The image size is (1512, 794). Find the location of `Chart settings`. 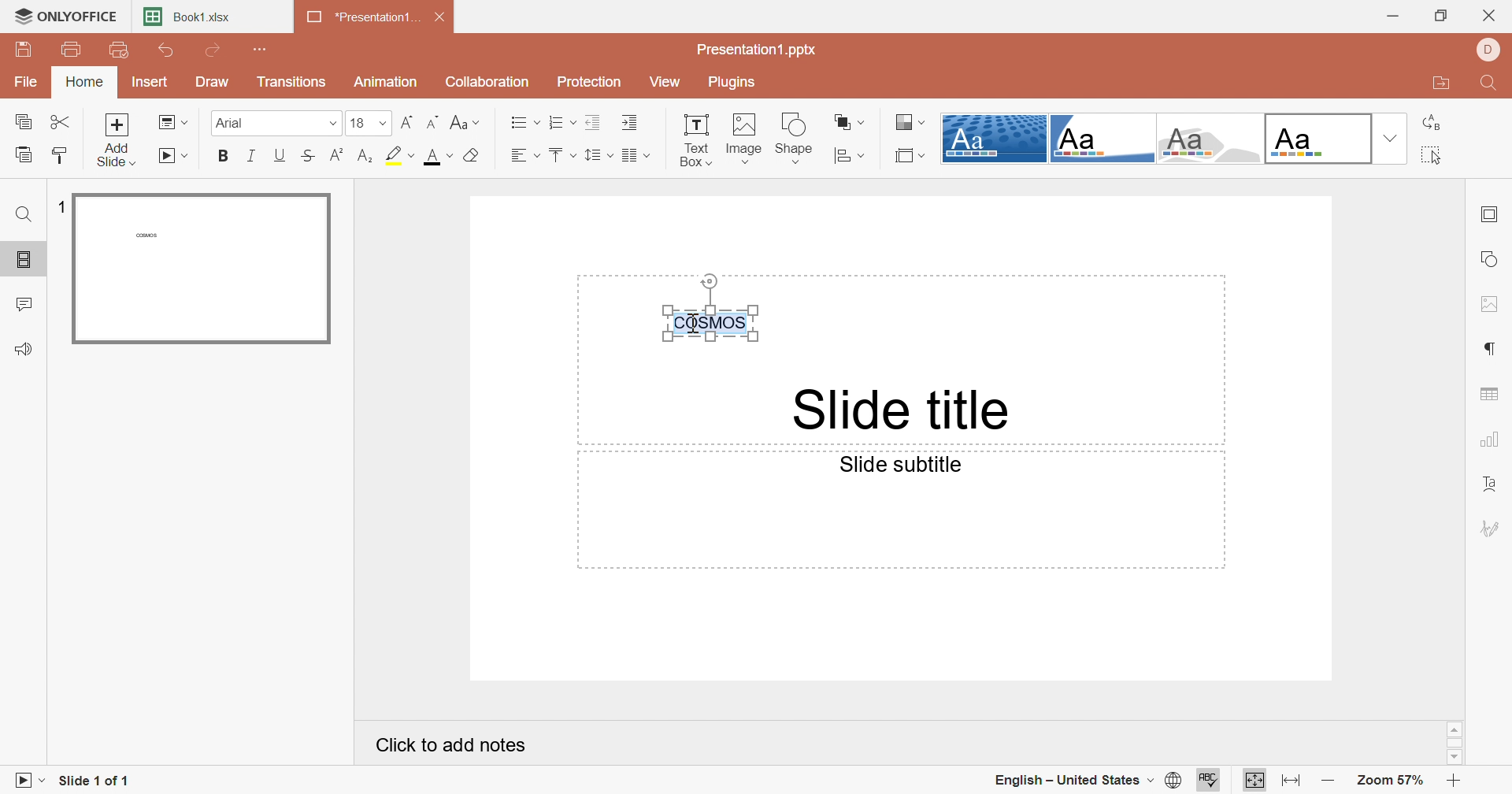

Chart settings is located at coordinates (1487, 438).